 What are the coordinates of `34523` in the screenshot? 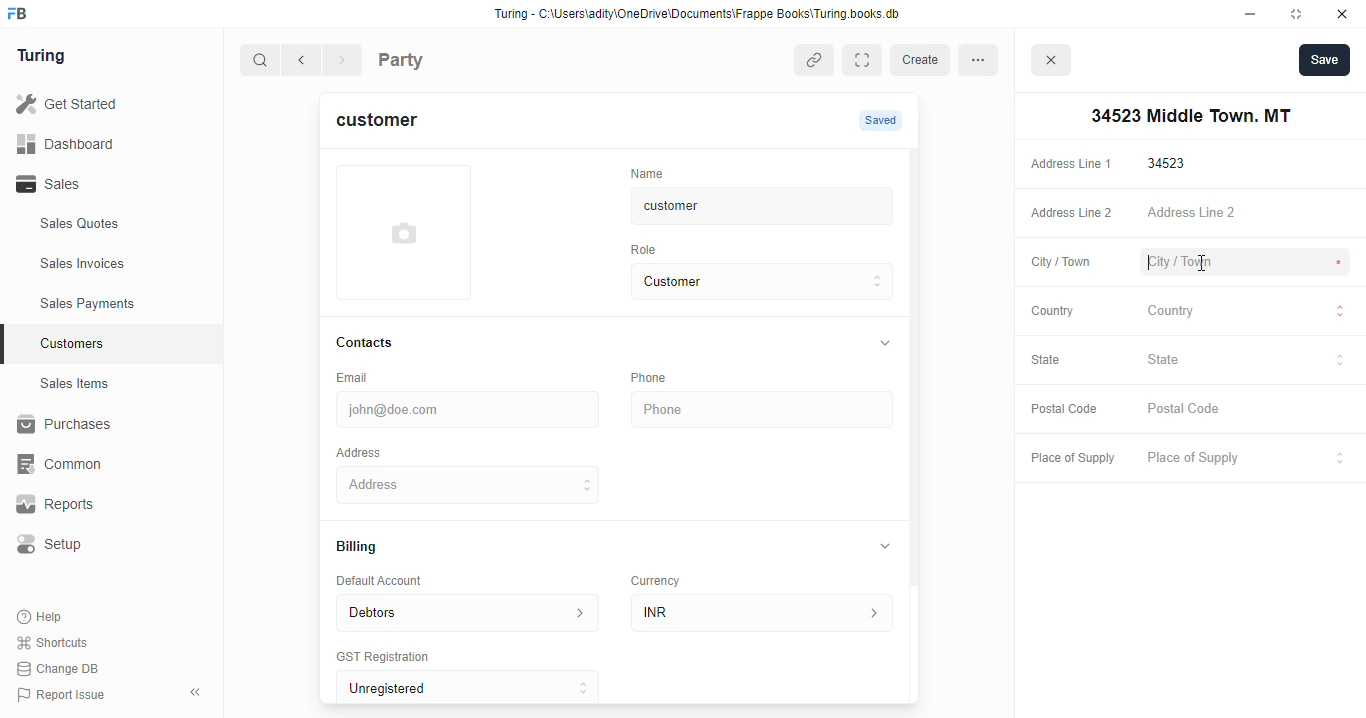 It's located at (1249, 163).